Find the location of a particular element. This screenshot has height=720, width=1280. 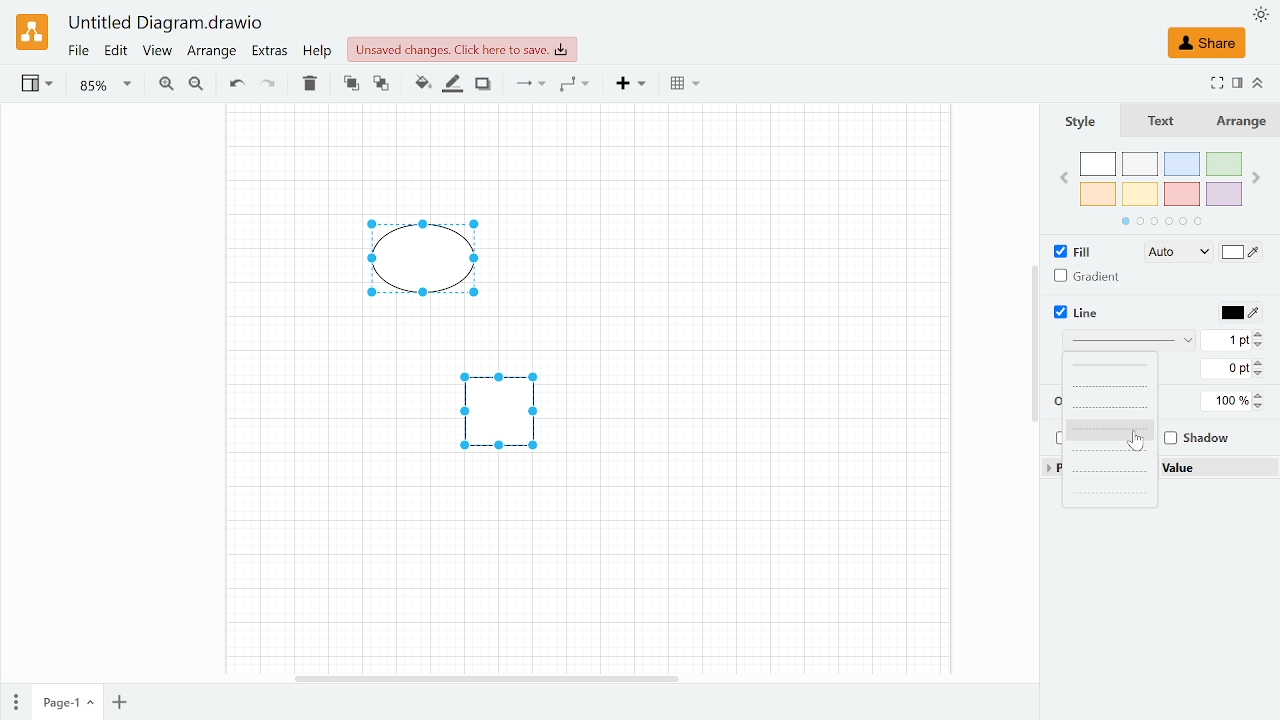

next is located at coordinates (1258, 177).